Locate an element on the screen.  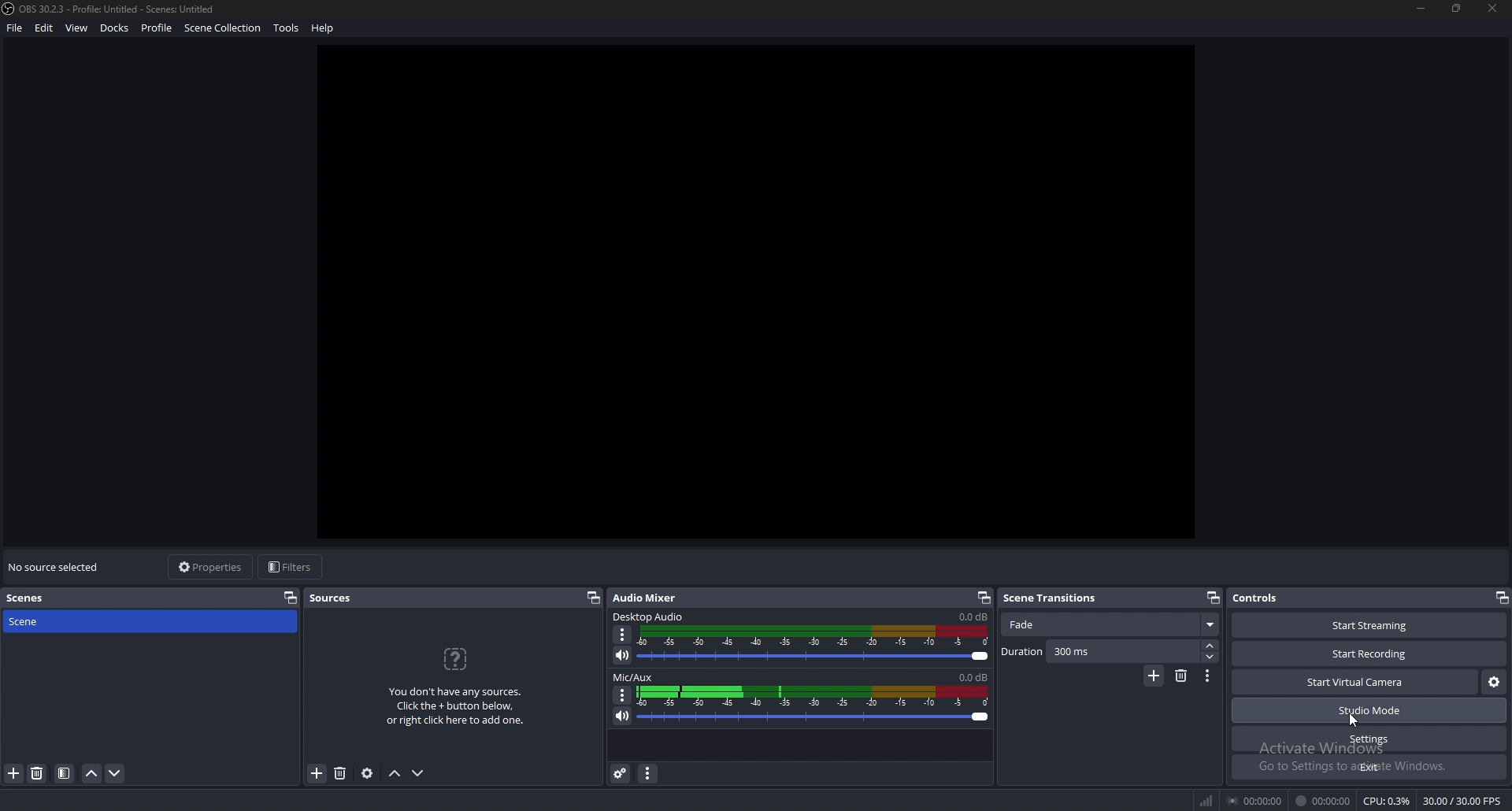
cursor is located at coordinates (1357, 719).